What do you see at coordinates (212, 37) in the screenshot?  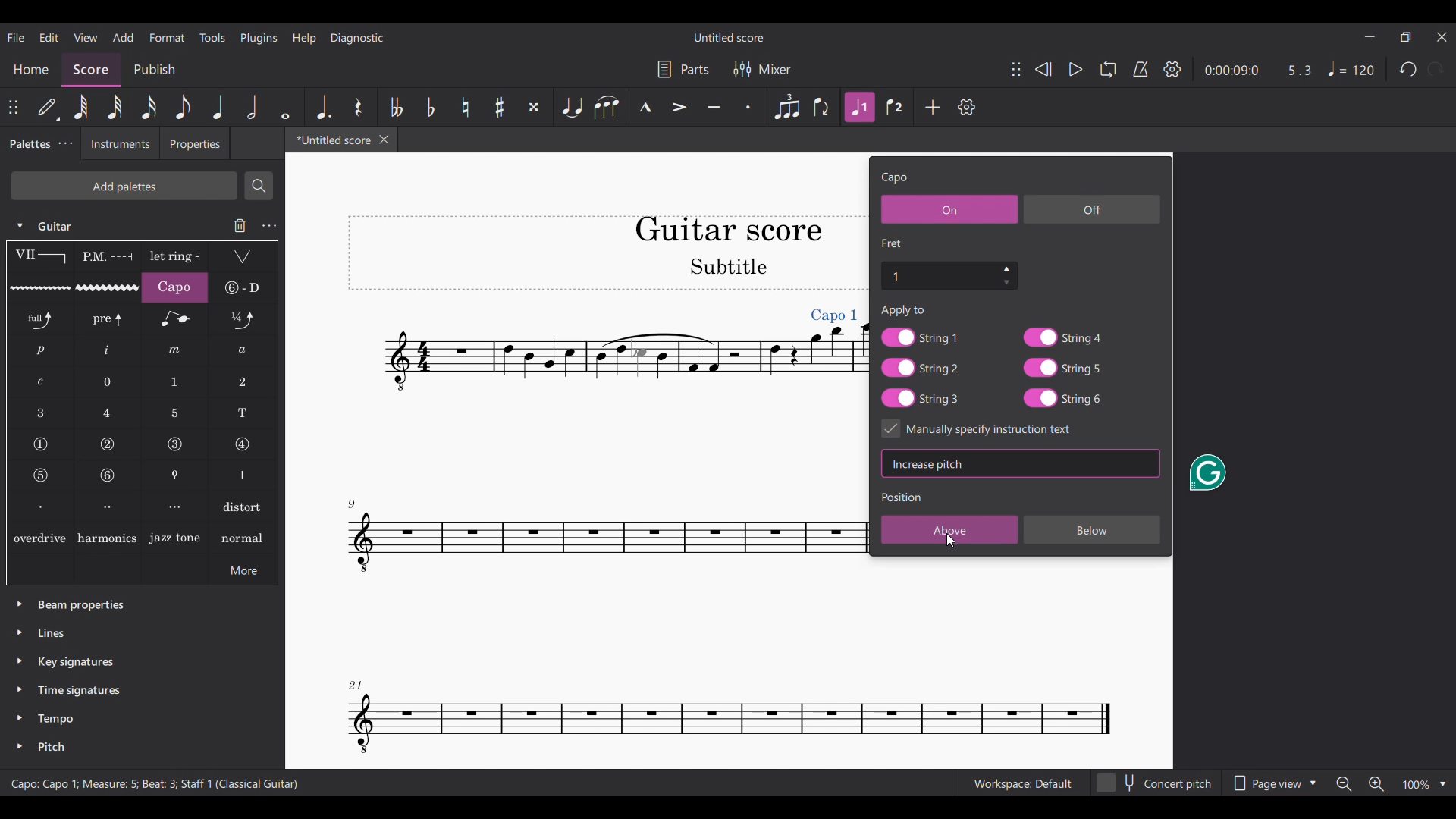 I see `Tools menu` at bounding box center [212, 37].